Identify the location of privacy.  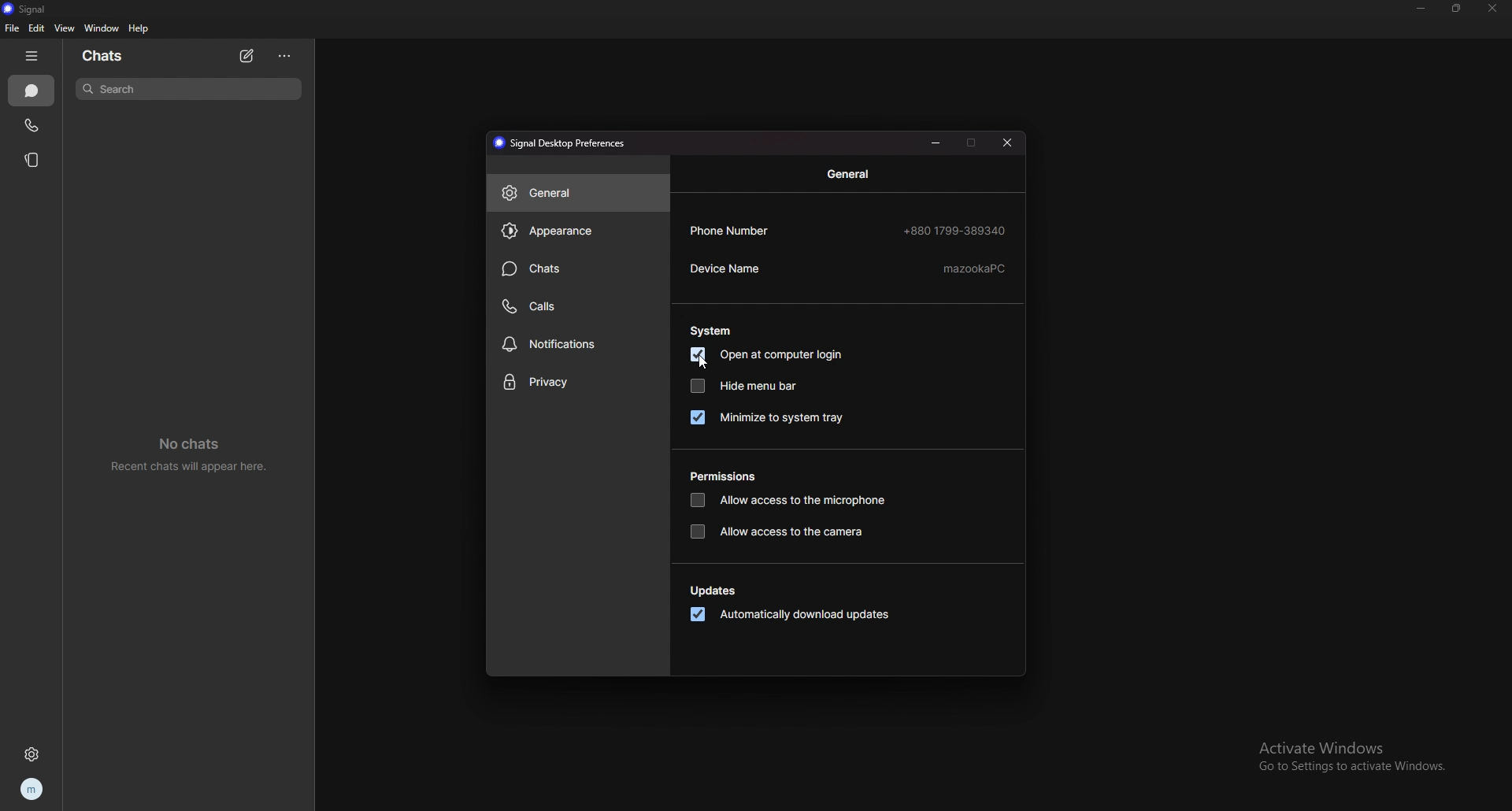
(576, 383).